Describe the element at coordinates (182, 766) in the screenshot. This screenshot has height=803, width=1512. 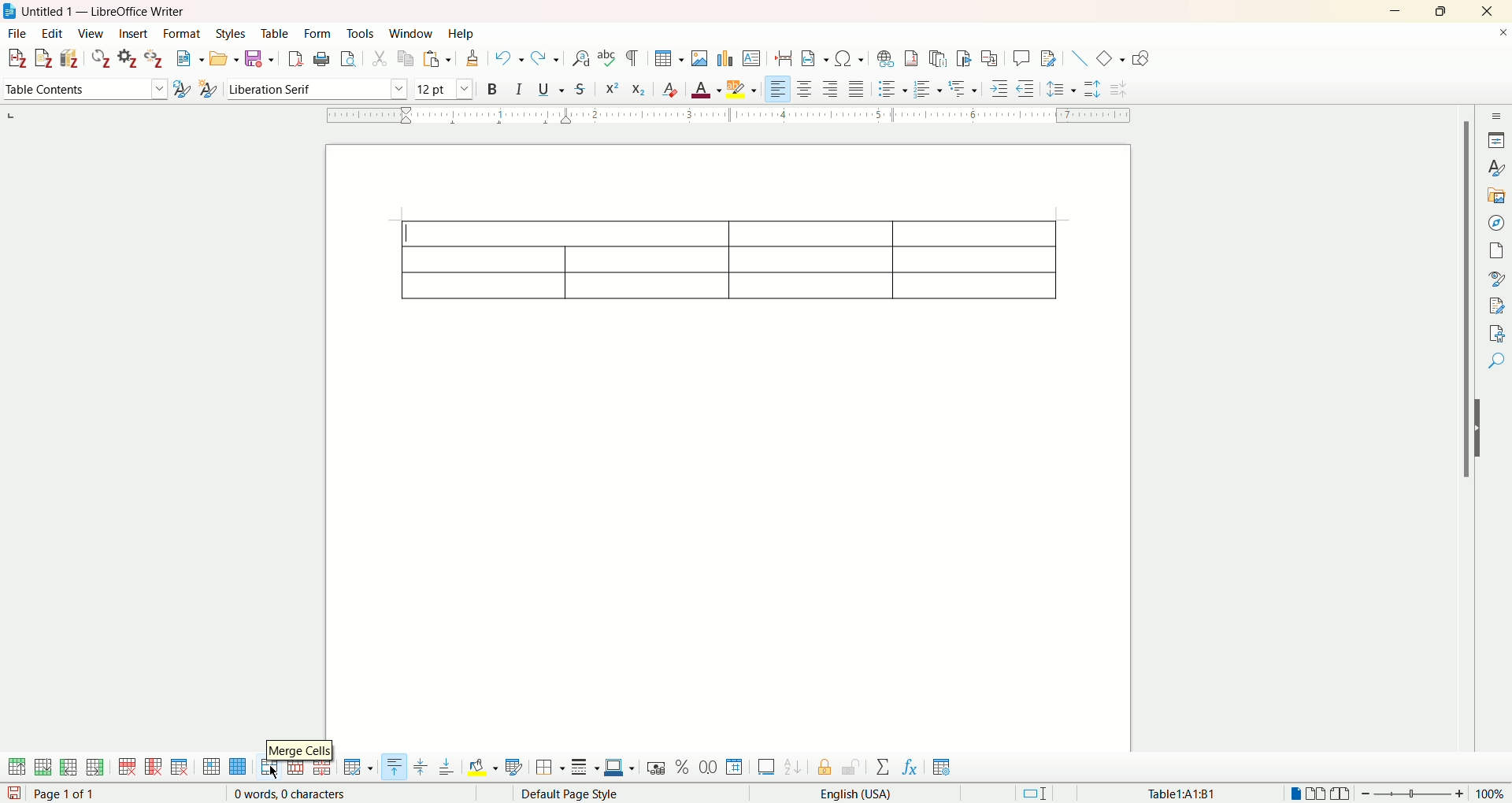
I see `delete table` at that location.